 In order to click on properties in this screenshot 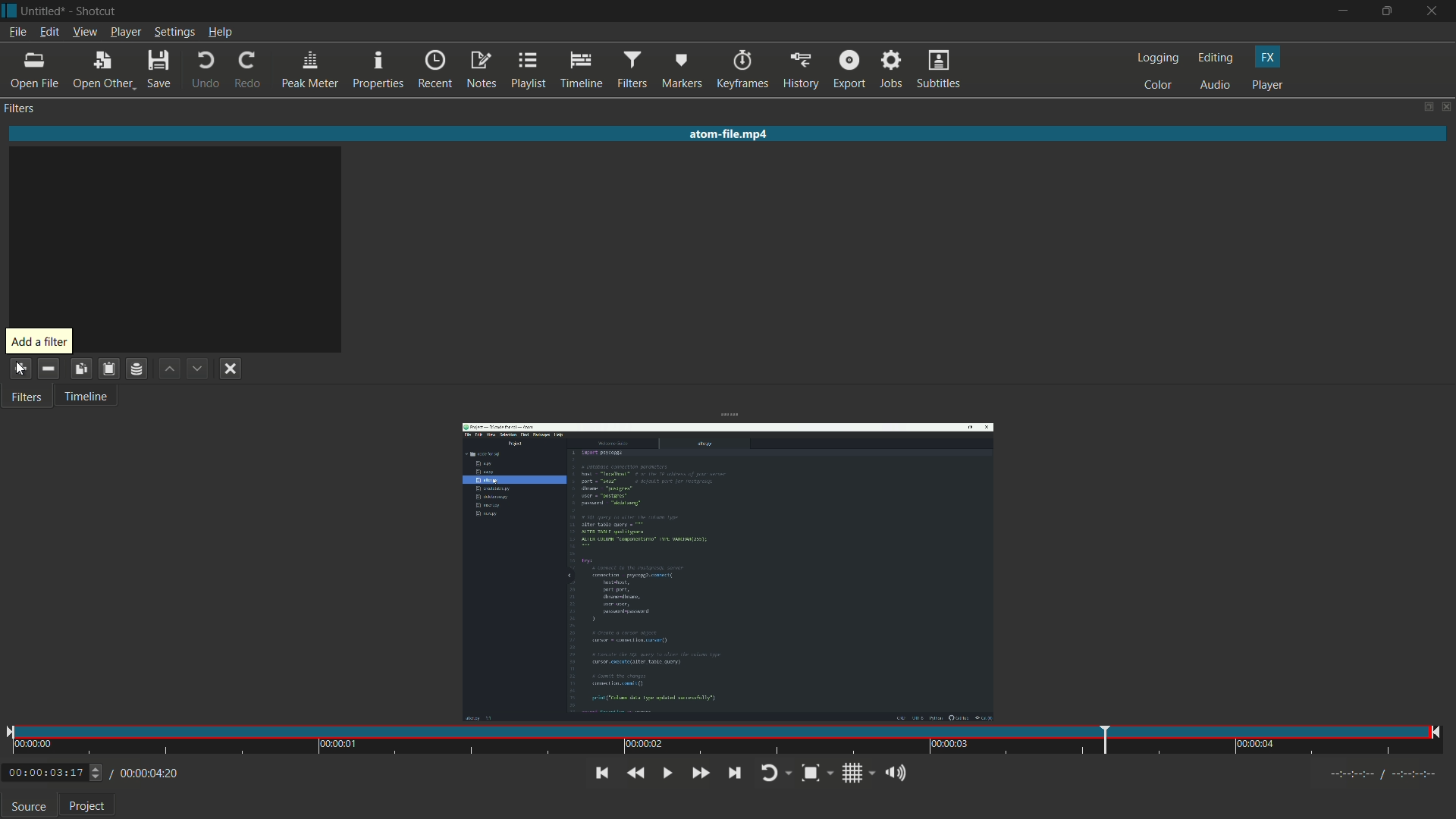, I will do `click(377, 71)`.